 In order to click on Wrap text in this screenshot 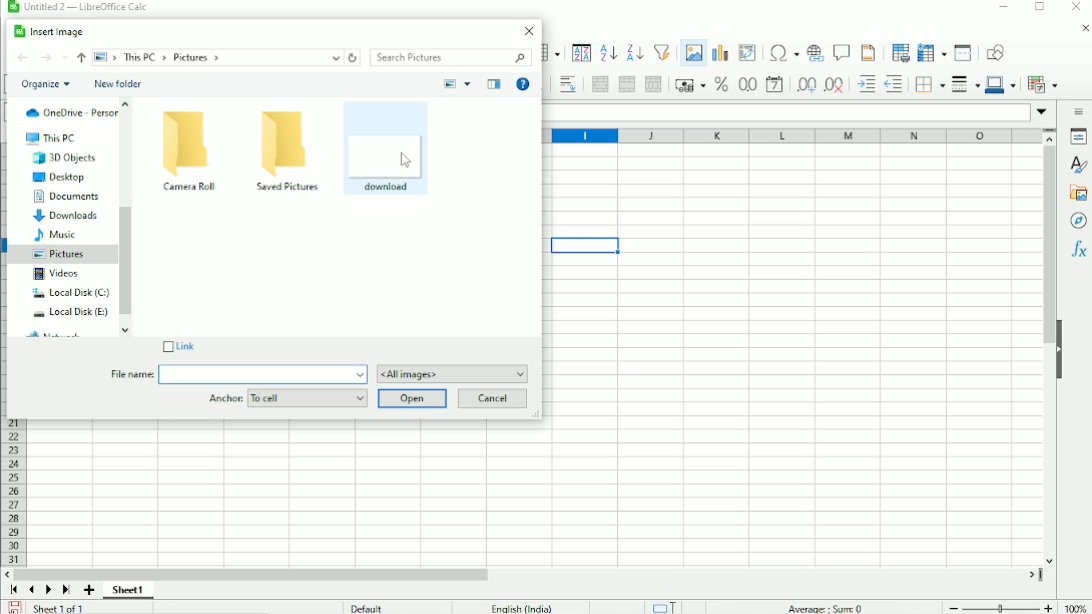, I will do `click(567, 84)`.